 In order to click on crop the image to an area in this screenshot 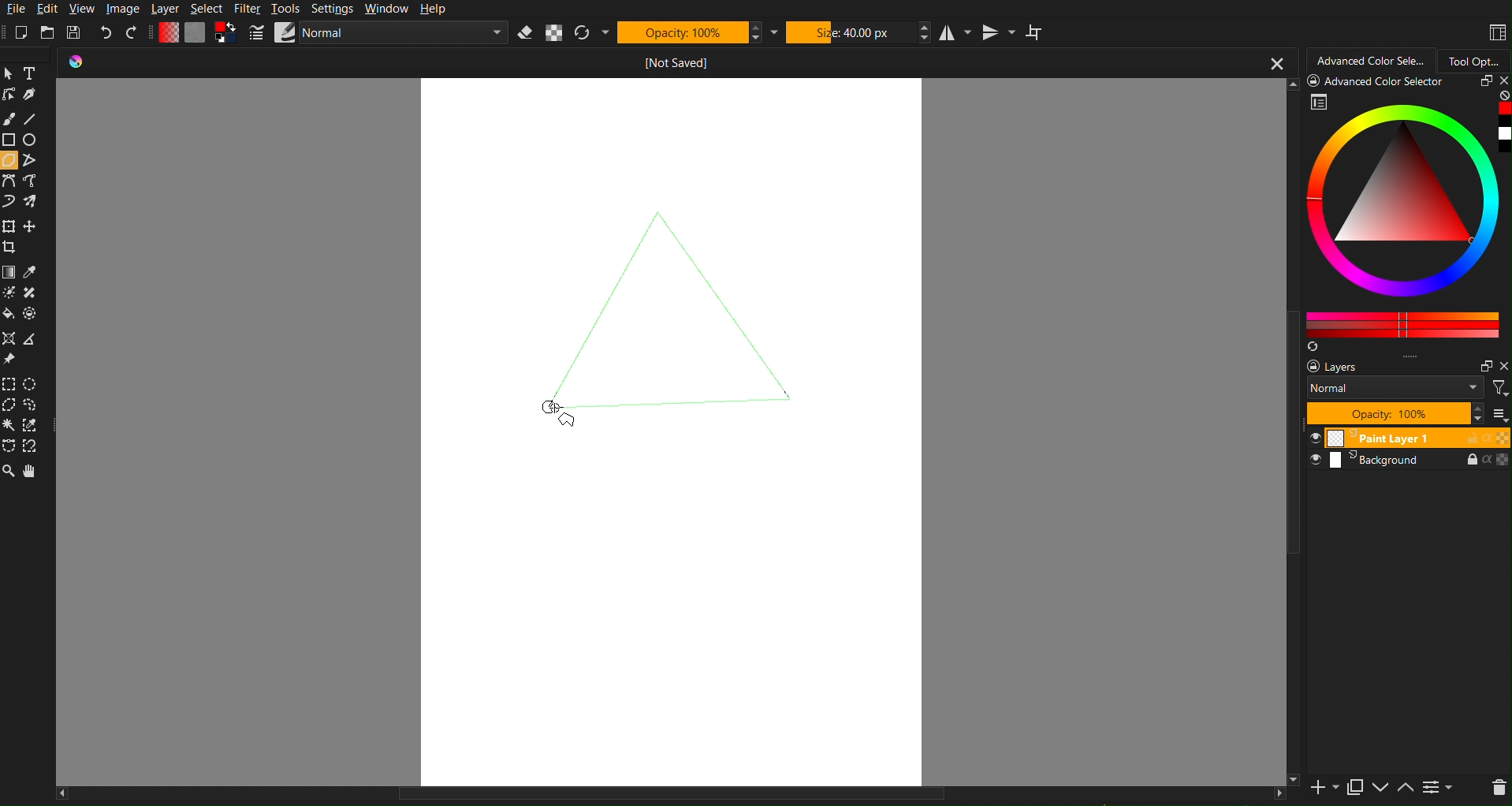, I will do `click(14, 251)`.